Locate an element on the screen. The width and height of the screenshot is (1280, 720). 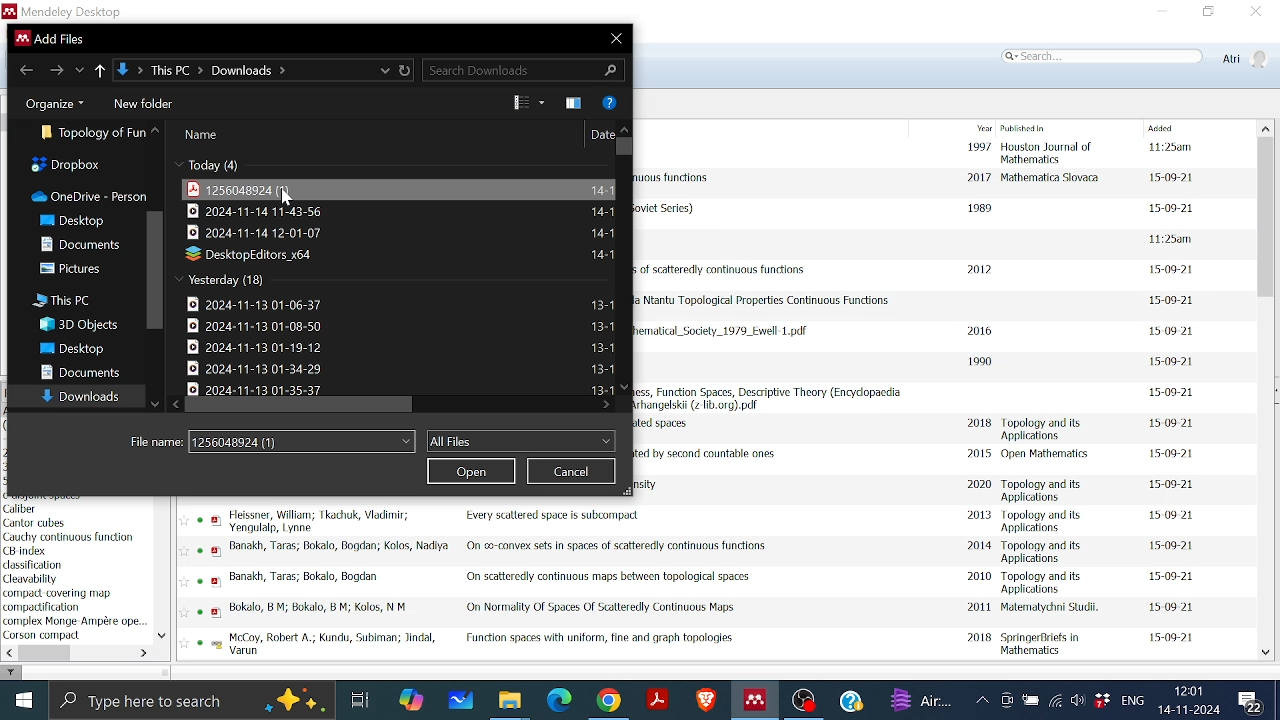
Author is located at coordinates (340, 548).